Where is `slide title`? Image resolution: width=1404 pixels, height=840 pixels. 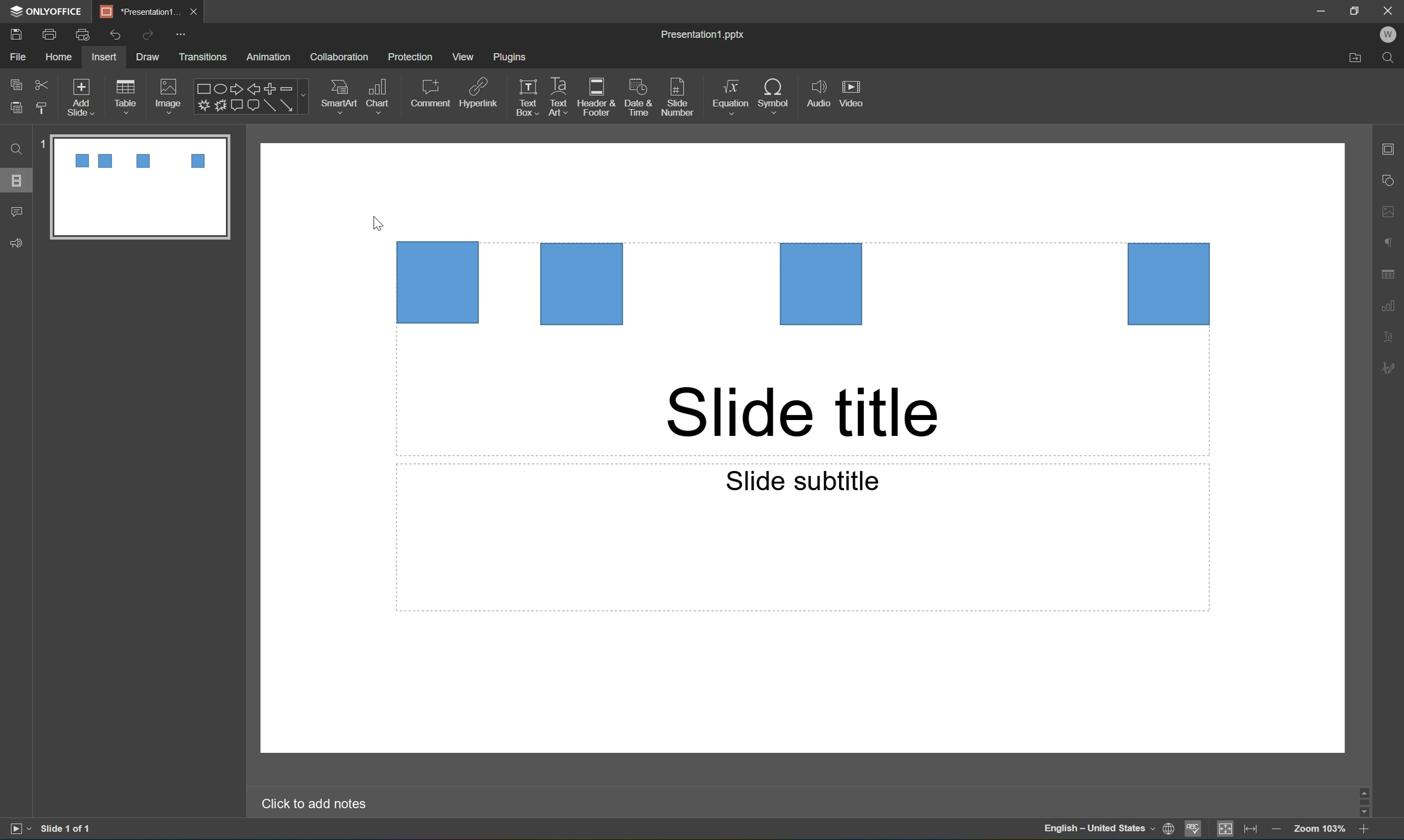 slide title is located at coordinates (803, 413).